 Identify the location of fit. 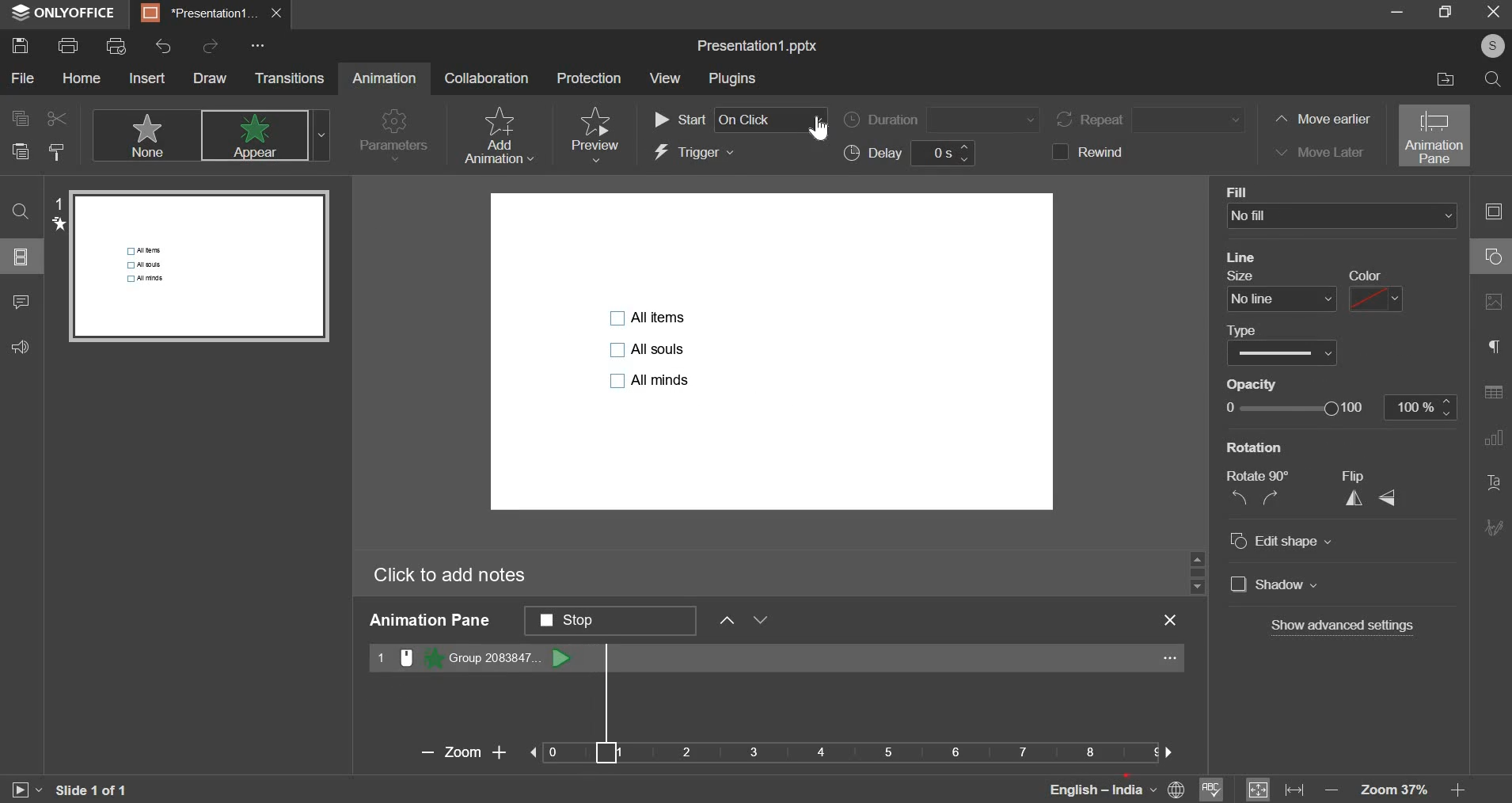
(1275, 788).